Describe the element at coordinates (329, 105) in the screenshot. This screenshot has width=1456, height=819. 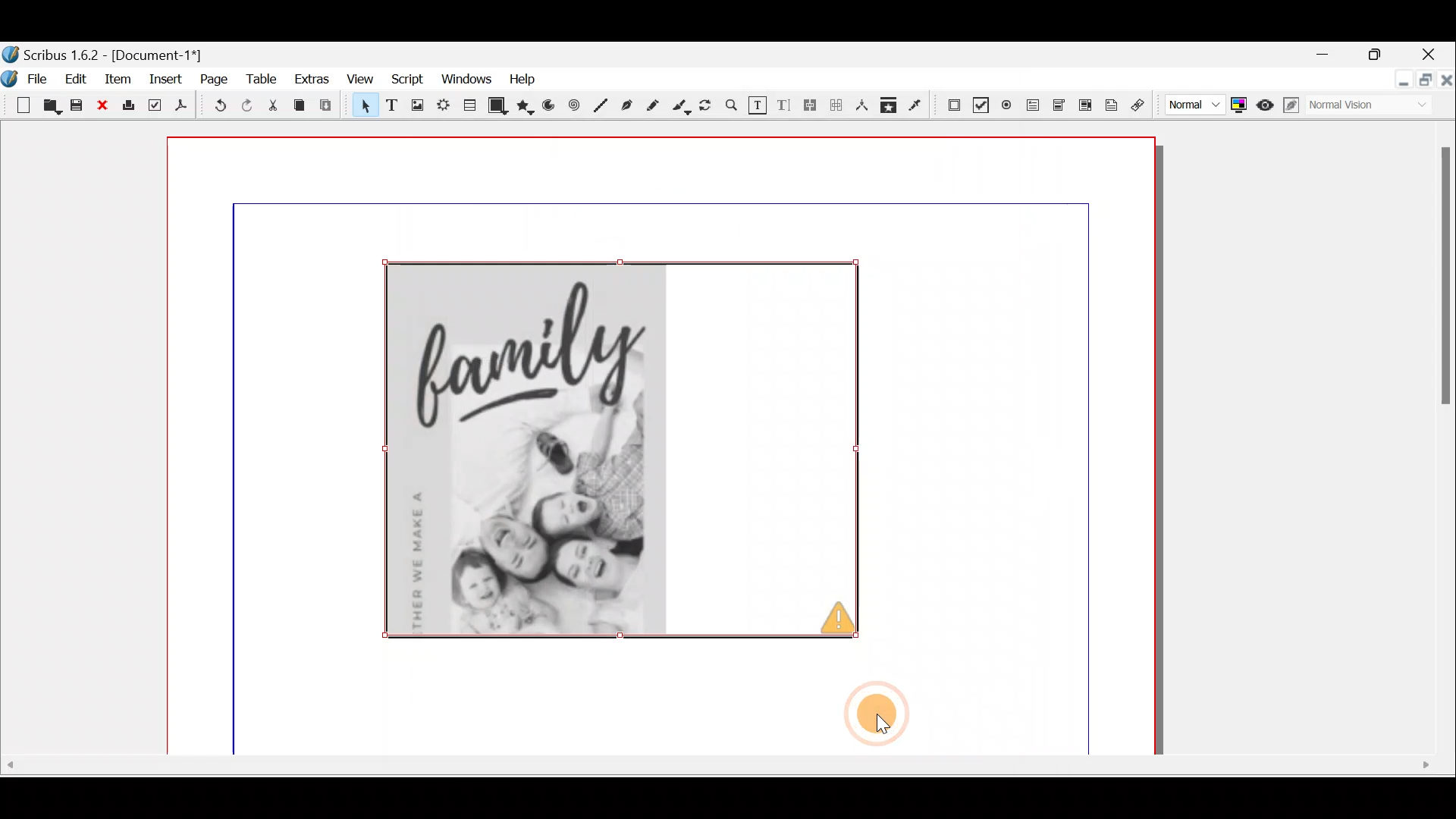
I see `Paste` at that location.